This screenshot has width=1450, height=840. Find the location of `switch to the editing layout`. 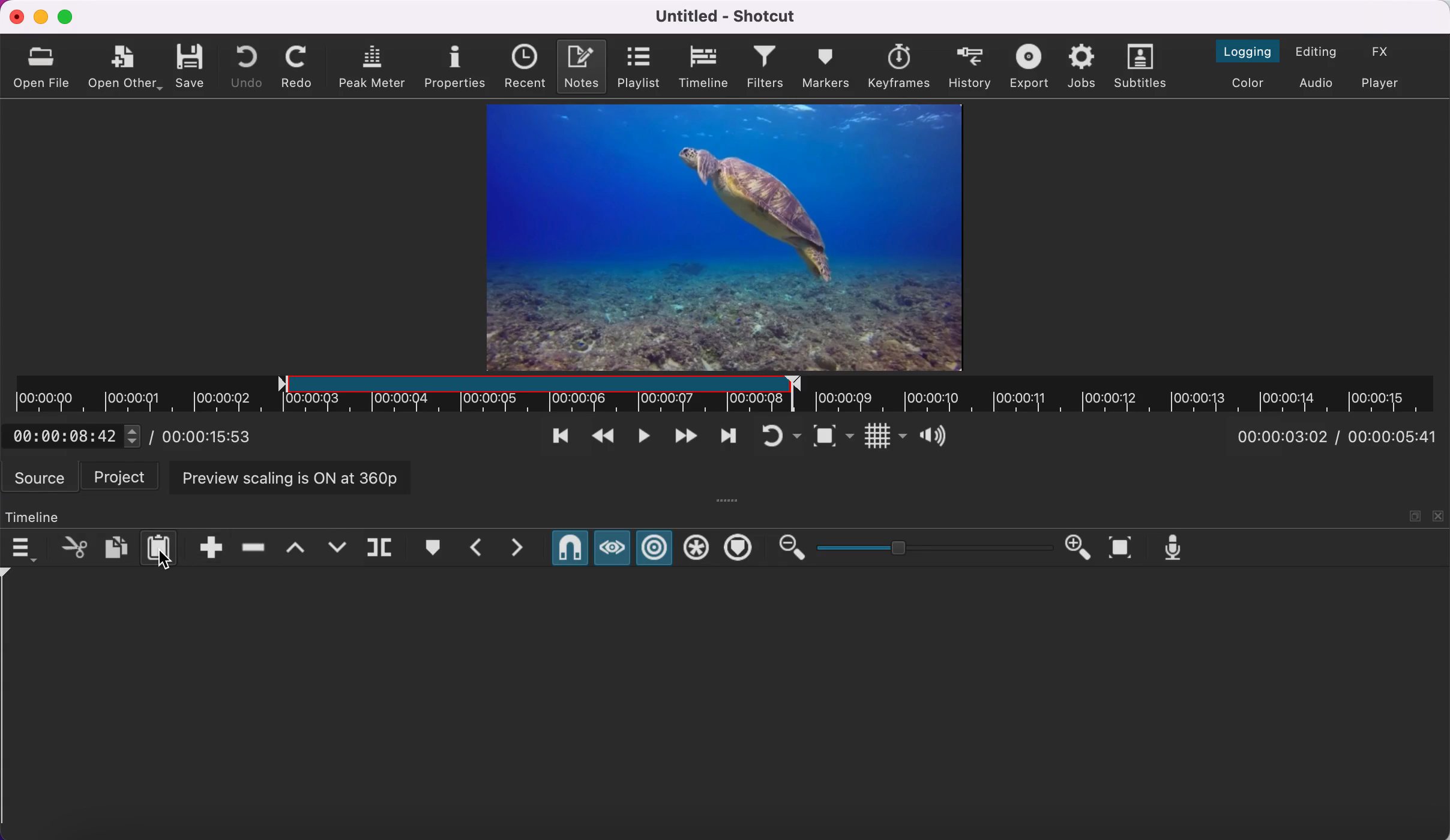

switch to the editing layout is located at coordinates (1320, 51).